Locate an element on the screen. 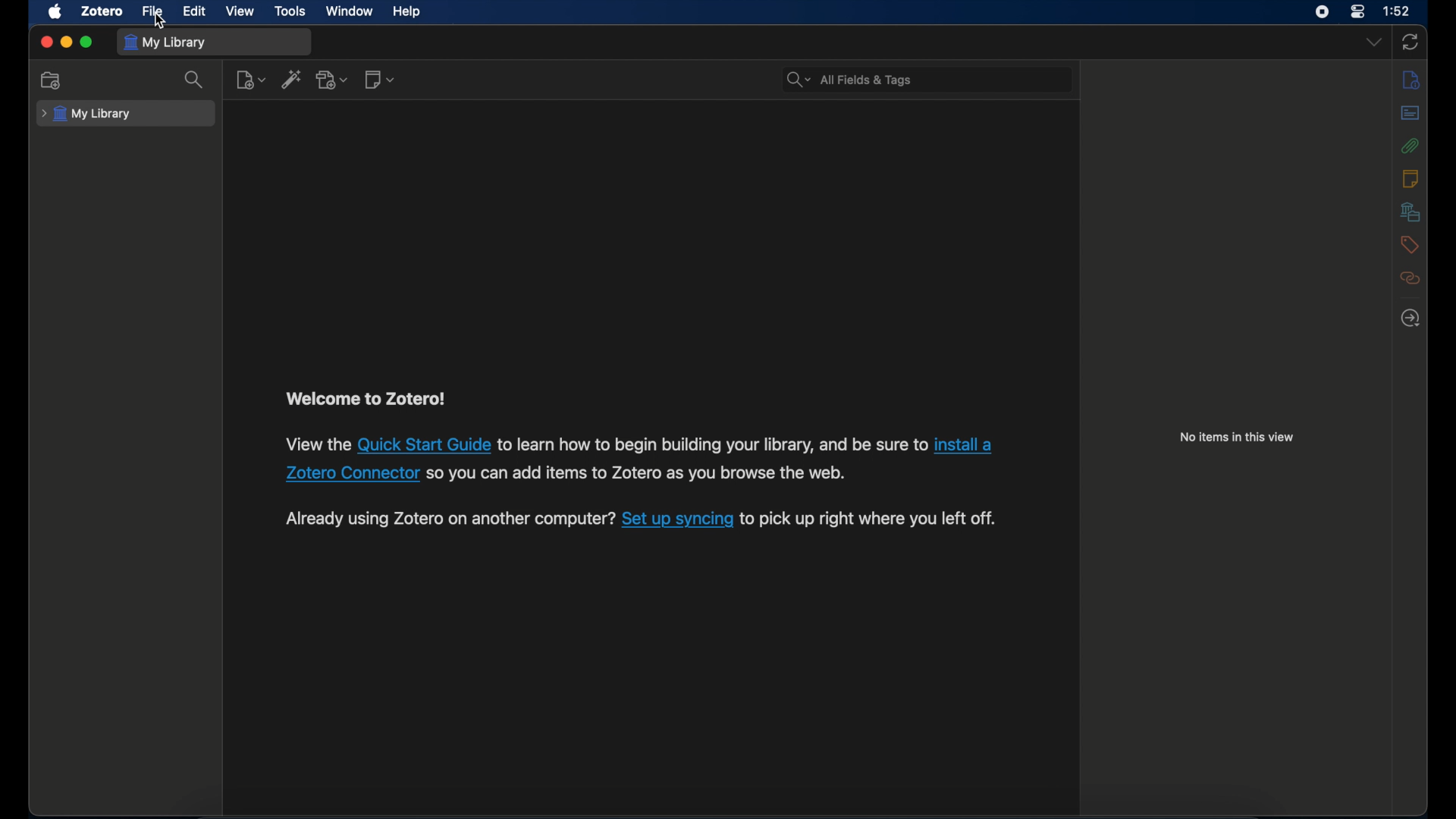  libraries is located at coordinates (1410, 212).